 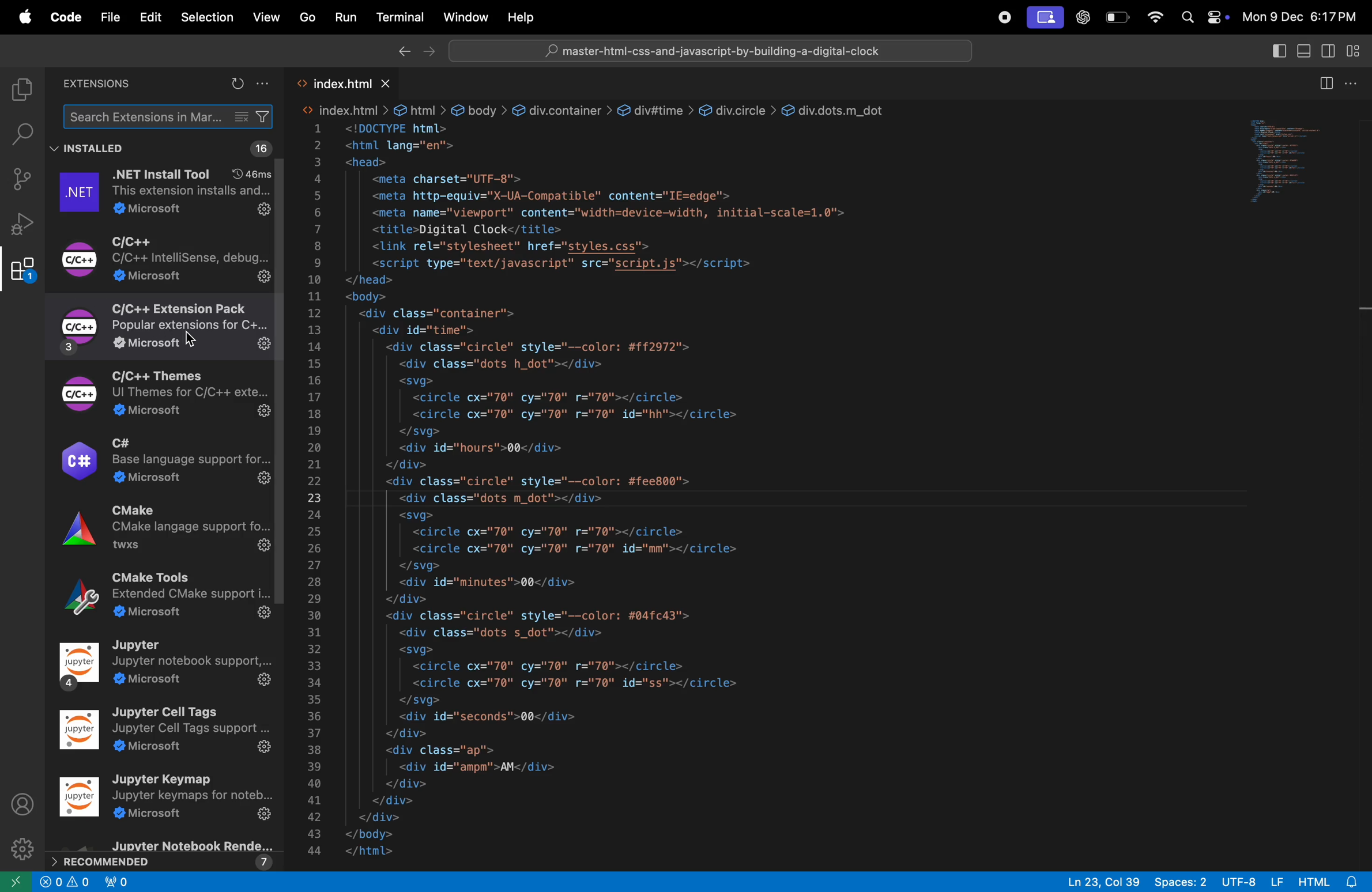 I want to click on Utf, so click(x=1252, y=880).